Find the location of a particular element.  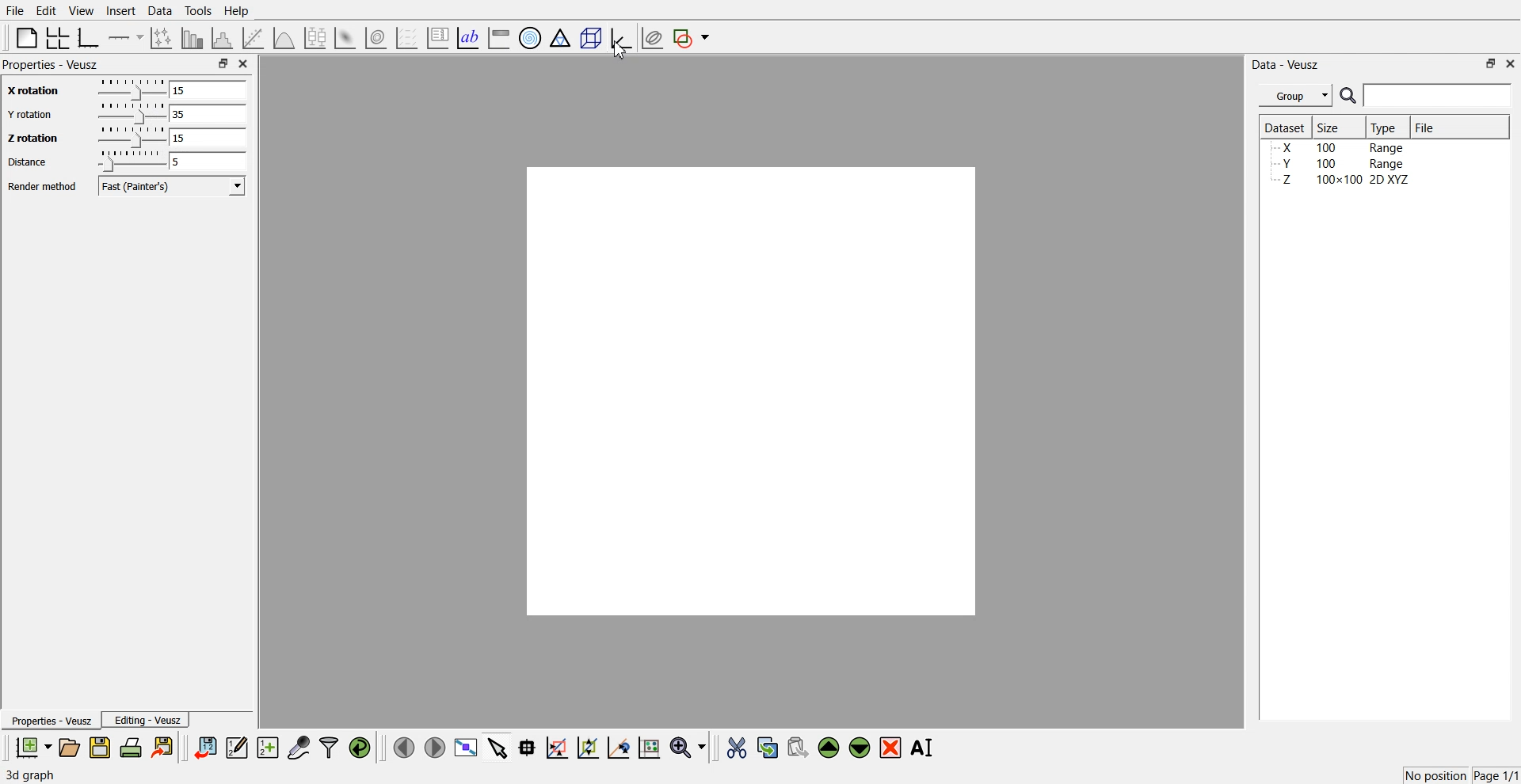

Export to graphic format is located at coordinates (164, 747).